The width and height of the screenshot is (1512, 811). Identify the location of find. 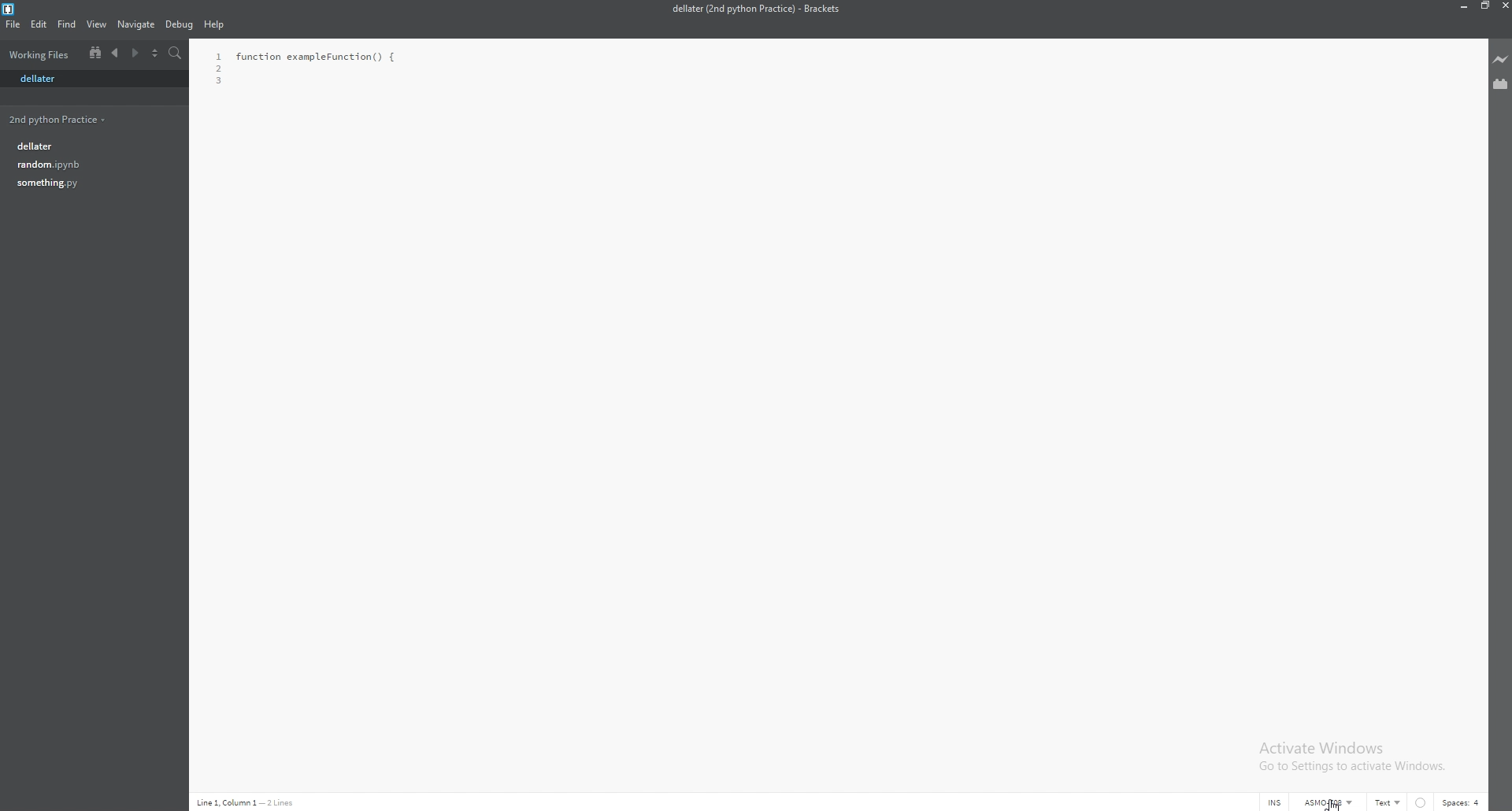
(67, 25).